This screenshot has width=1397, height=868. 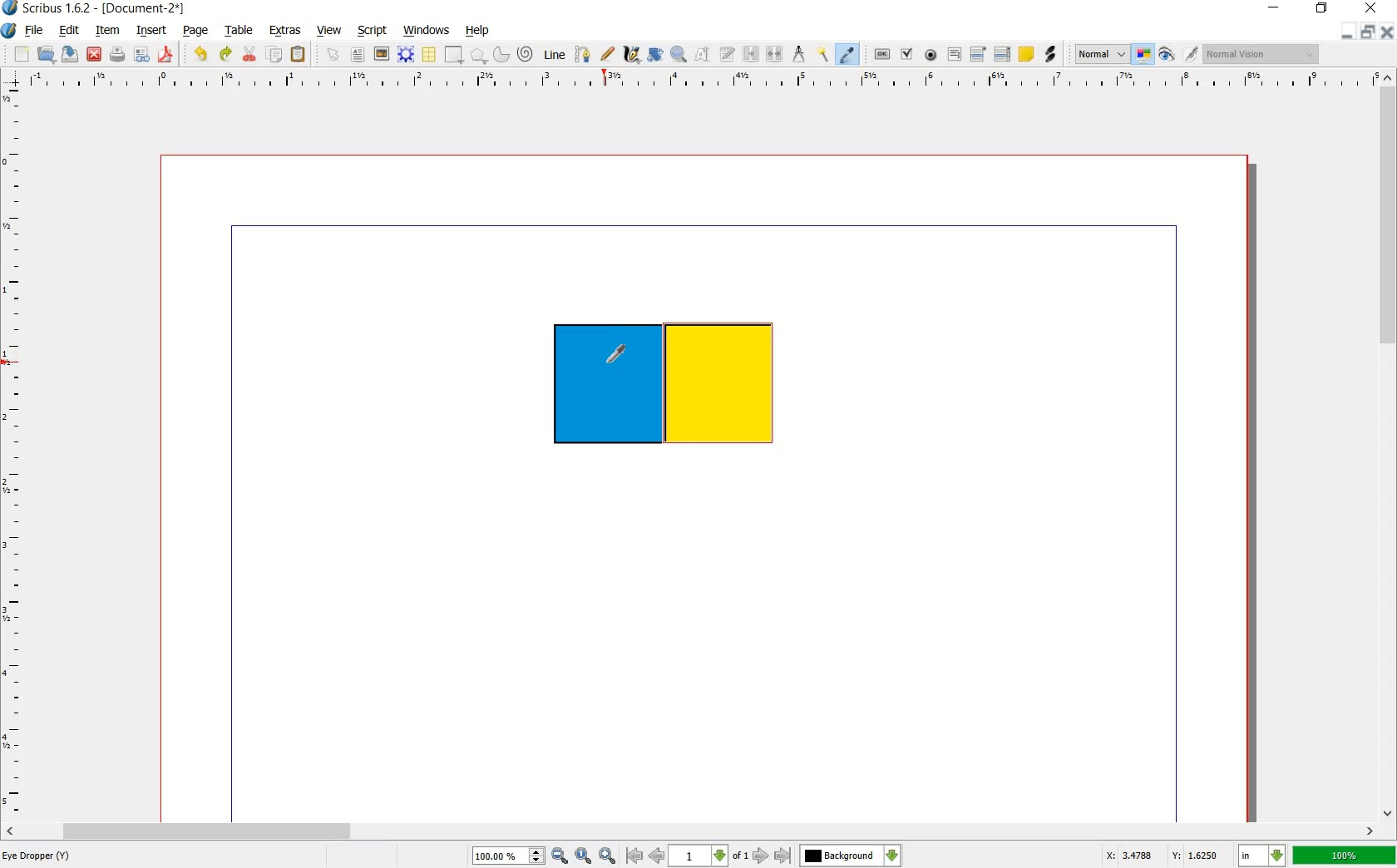 I want to click on bezier curve, so click(x=584, y=57).